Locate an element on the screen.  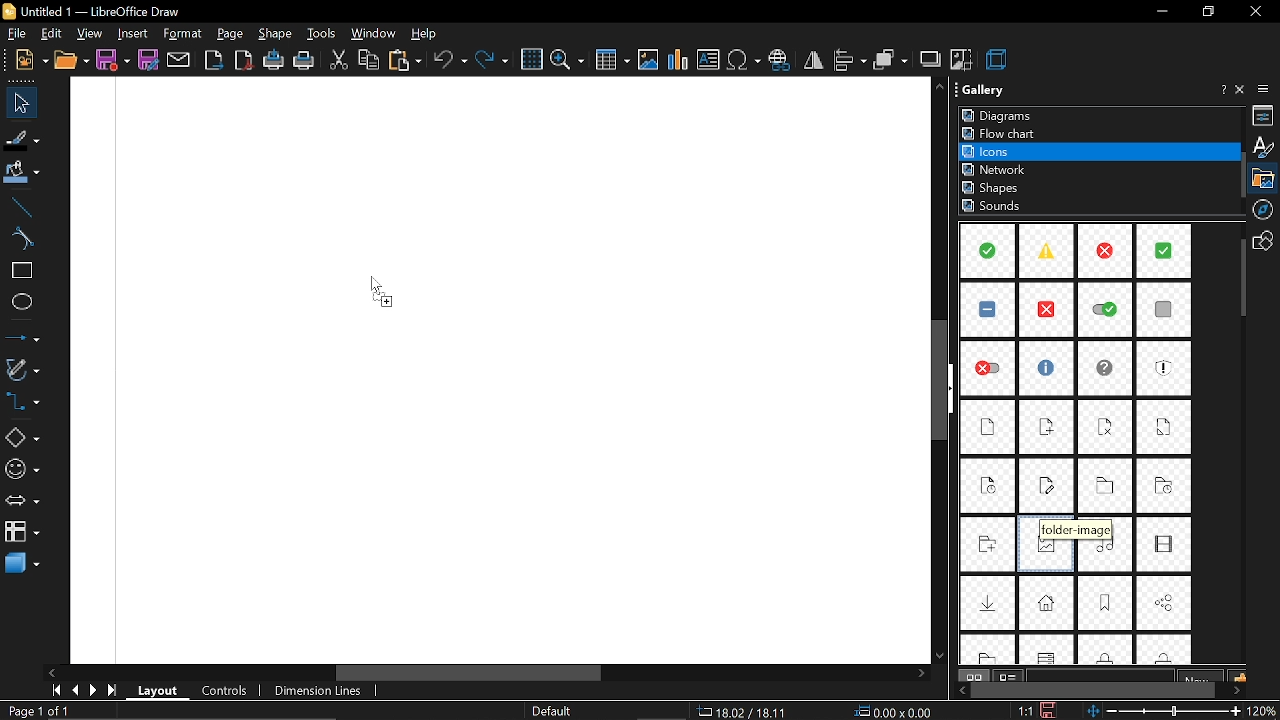
icons is located at coordinates (999, 151).